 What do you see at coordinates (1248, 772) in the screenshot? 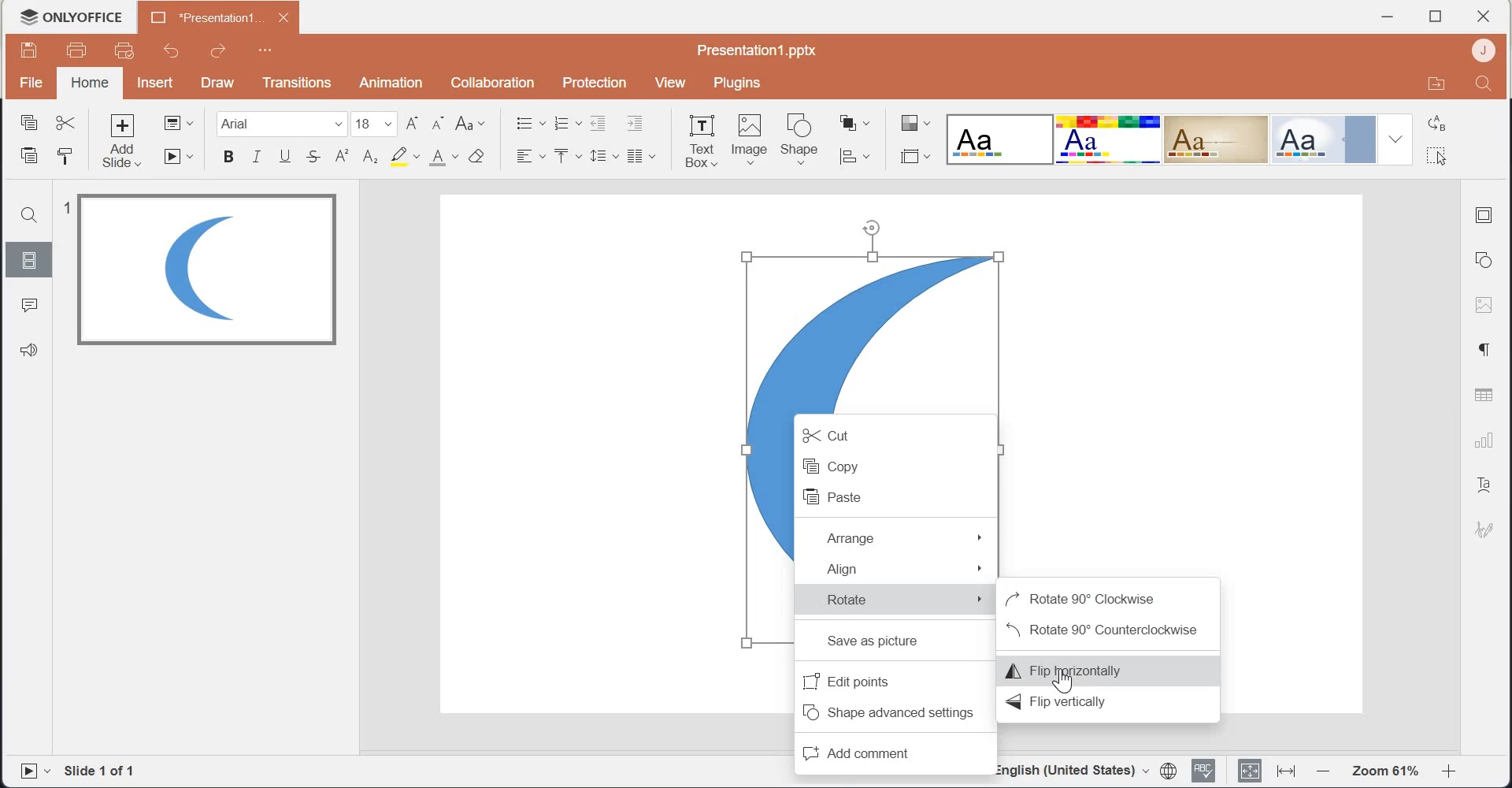
I see `Fit to slide` at bounding box center [1248, 772].